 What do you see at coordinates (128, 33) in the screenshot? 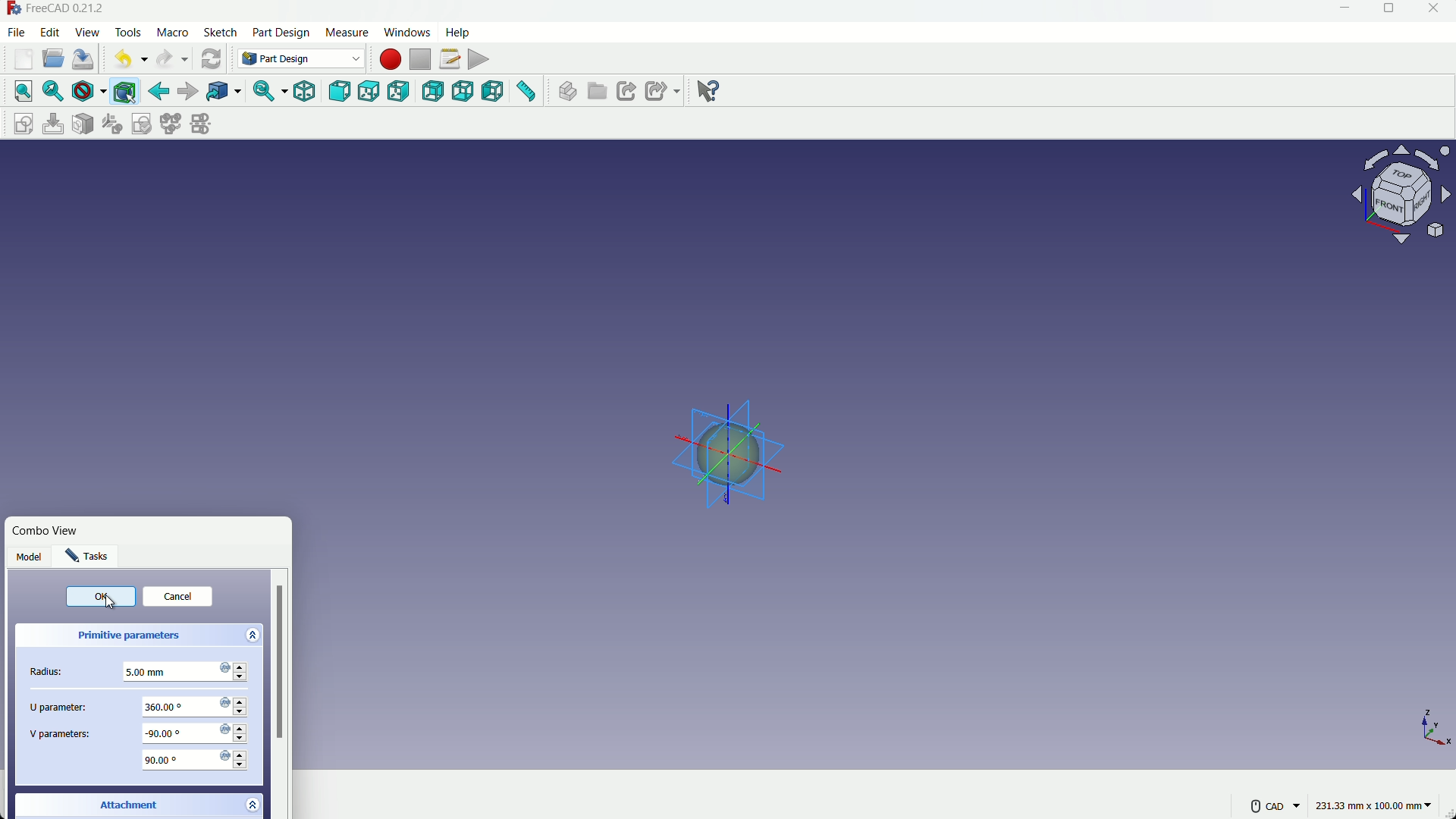
I see `tools` at bounding box center [128, 33].